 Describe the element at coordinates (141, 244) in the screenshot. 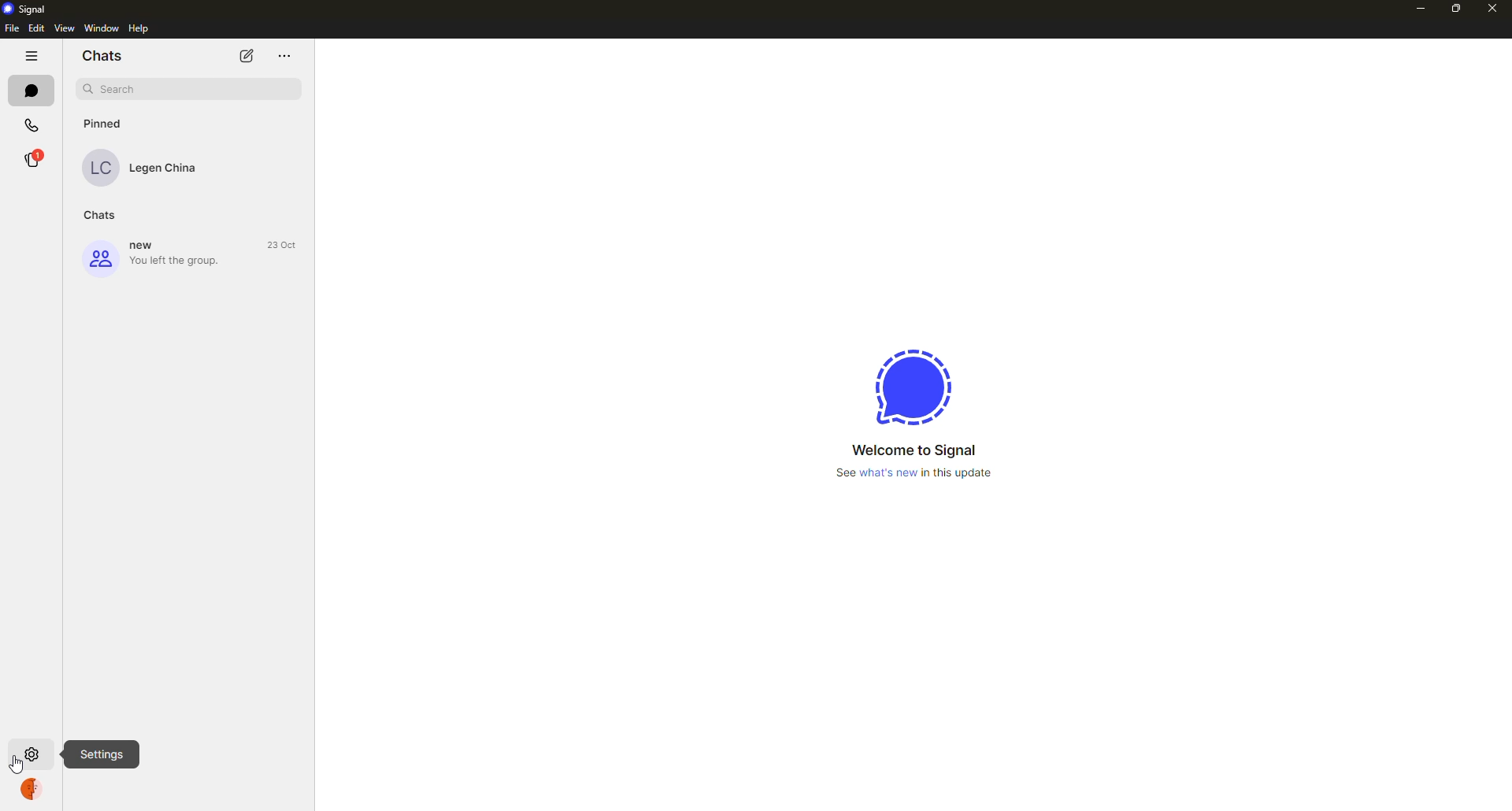

I see `new` at that location.